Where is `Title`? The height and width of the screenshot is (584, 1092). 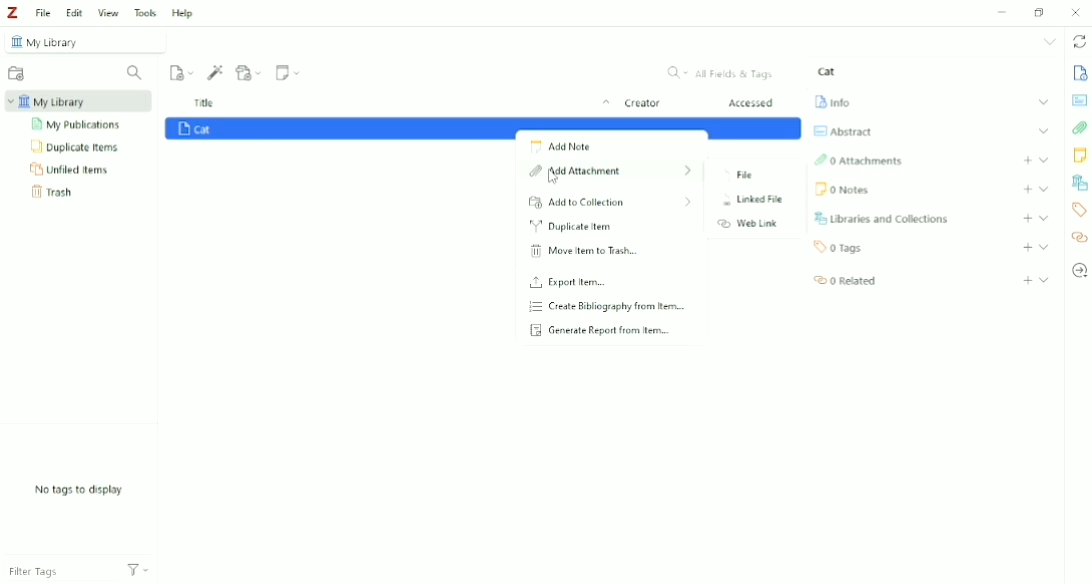
Title is located at coordinates (404, 104).